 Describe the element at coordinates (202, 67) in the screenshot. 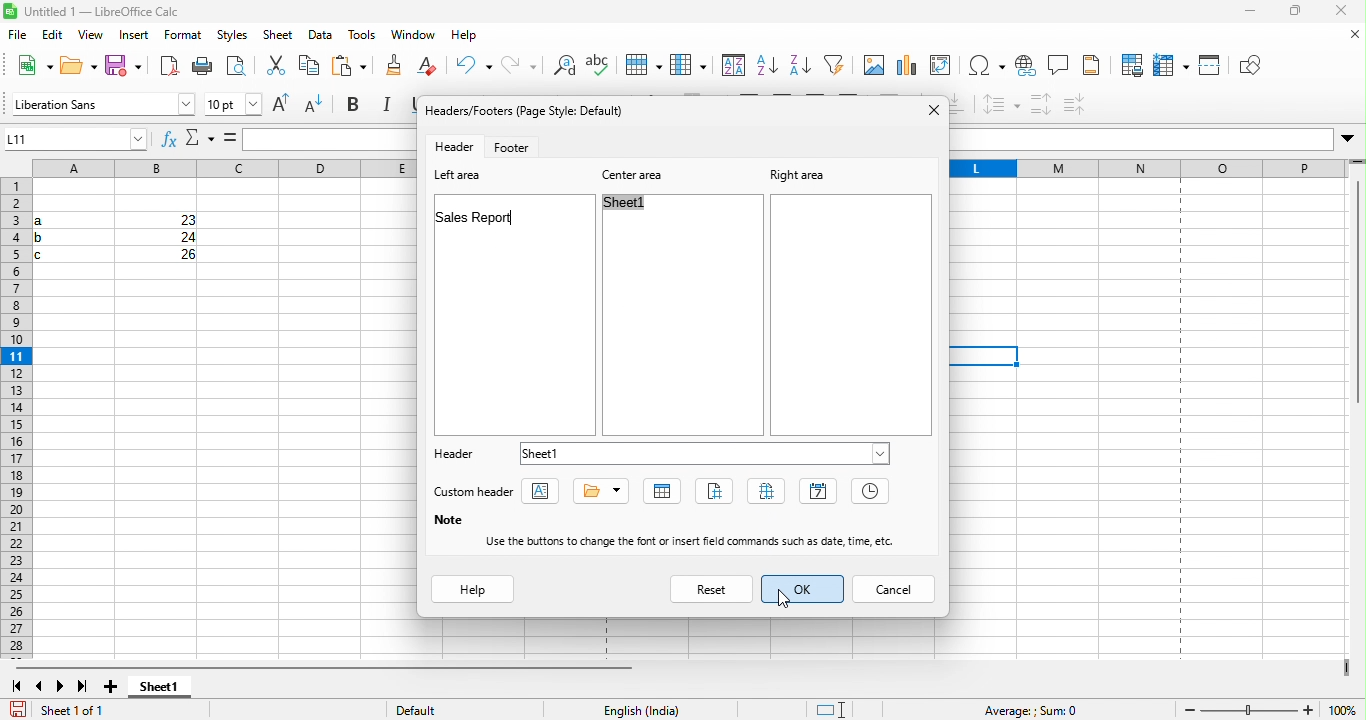

I see `print` at that location.